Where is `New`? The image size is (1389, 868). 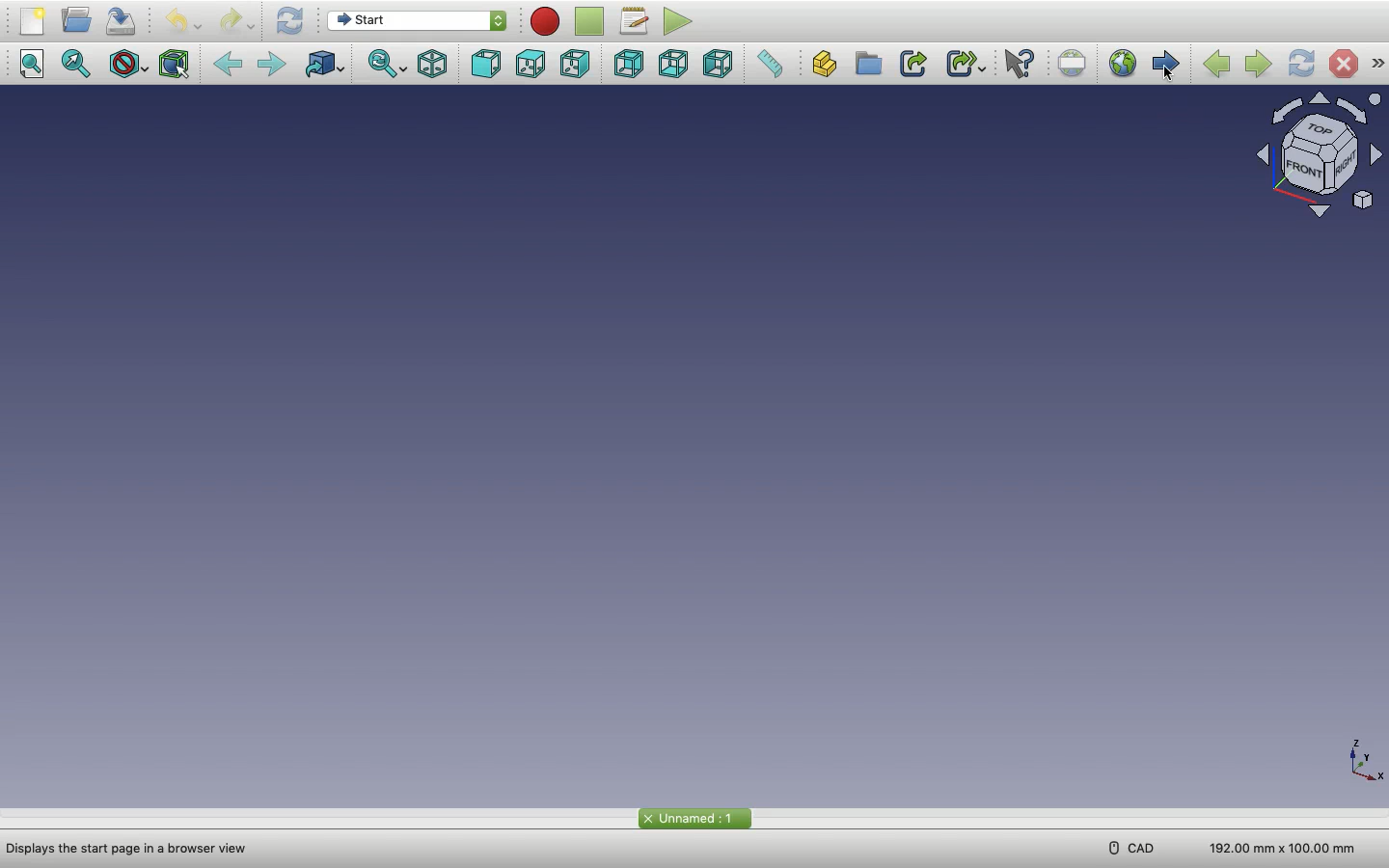
New is located at coordinates (34, 21).